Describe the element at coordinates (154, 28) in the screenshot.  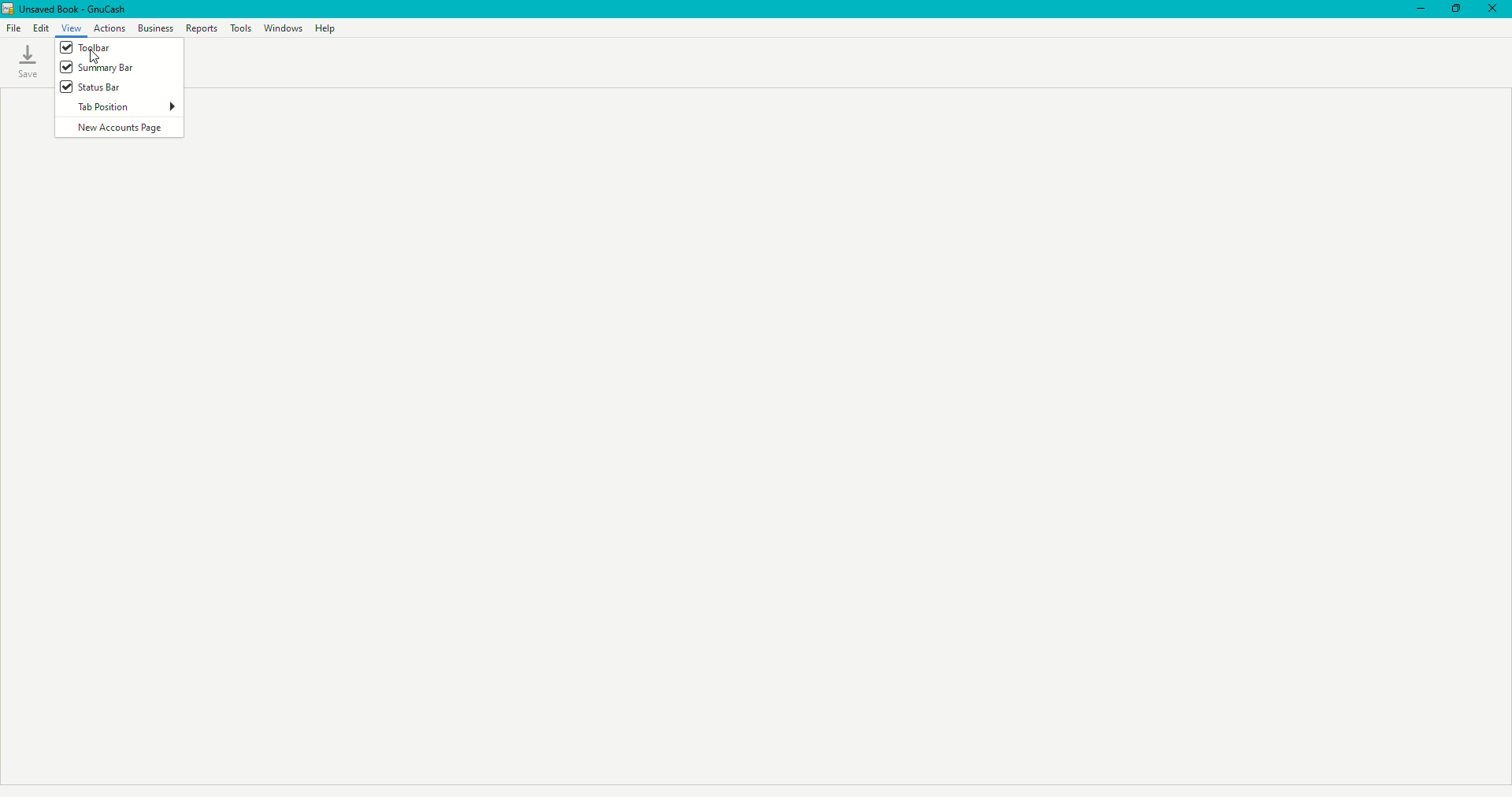
I see `Business` at that location.